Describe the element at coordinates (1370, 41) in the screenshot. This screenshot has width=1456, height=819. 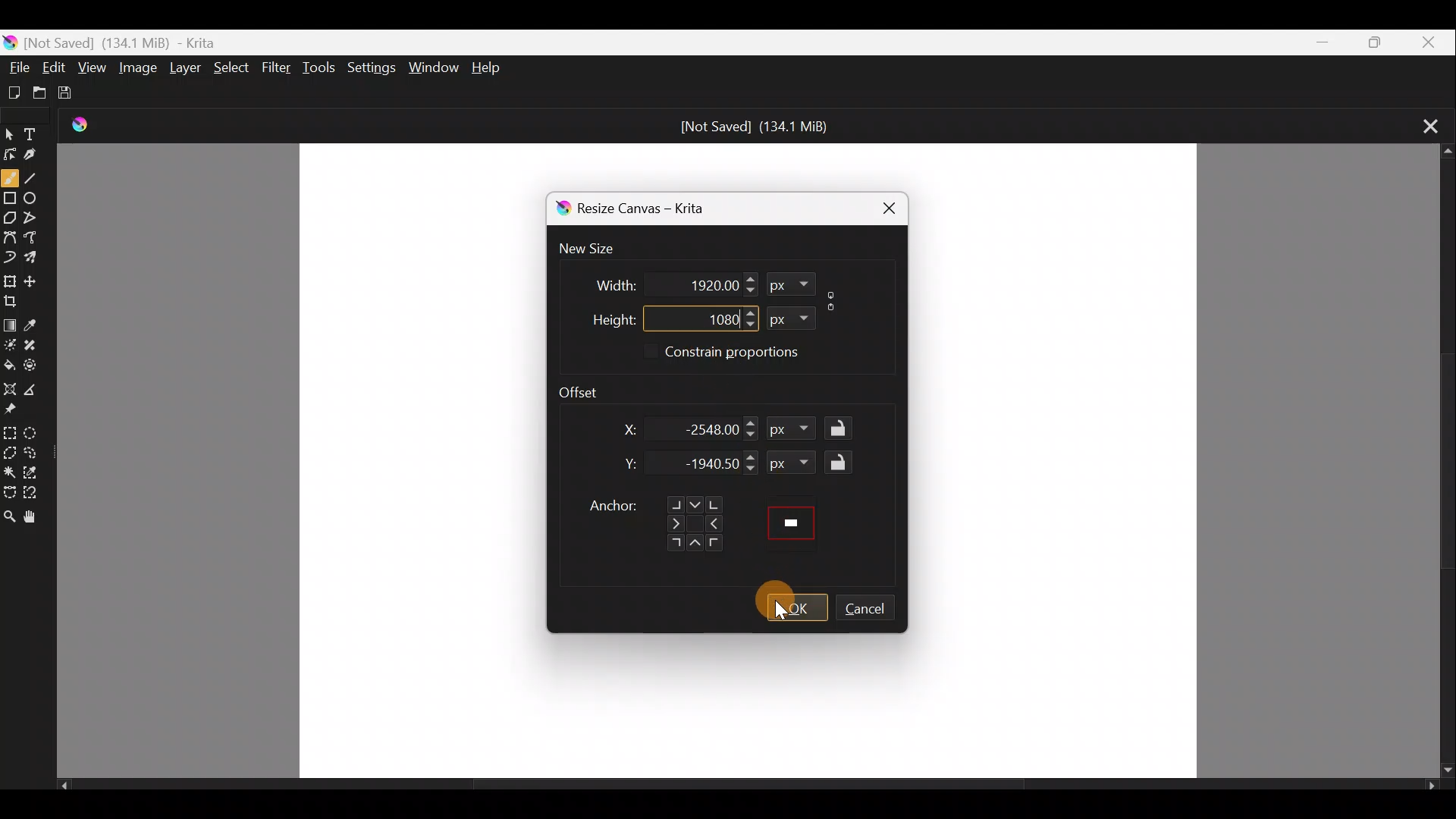
I see `Maximize` at that location.